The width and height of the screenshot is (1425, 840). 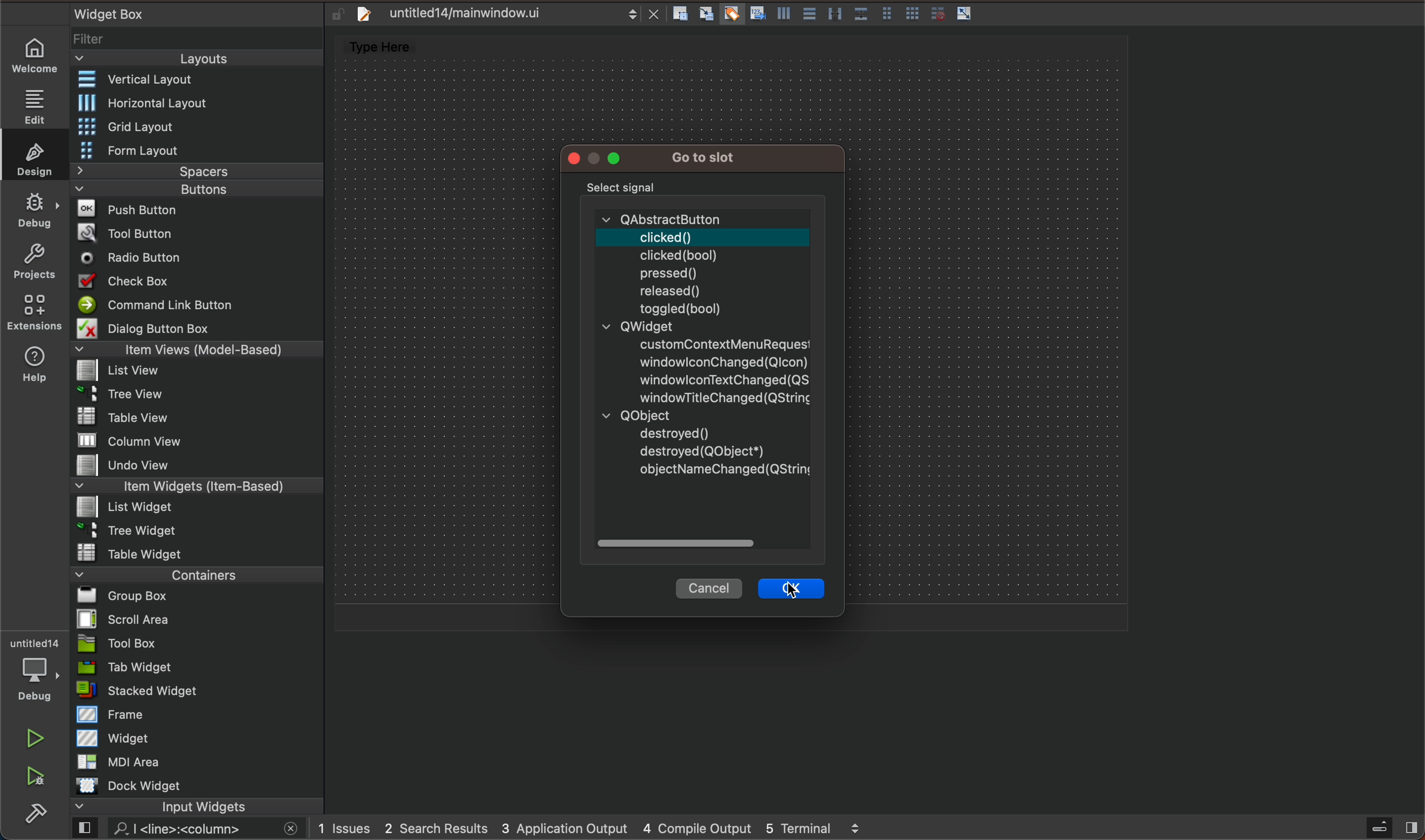 What do you see at coordinates (197, 211) in the screenshot?
I see `push button` at bounding box center [197, 211].